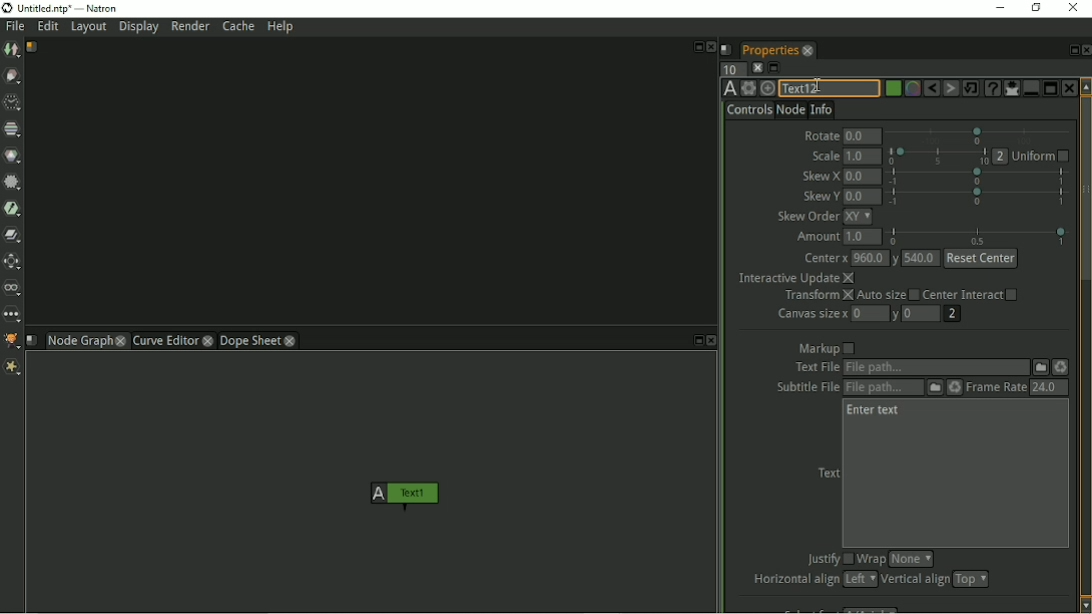  What do you see at coordinates (863, 237) in the screenshot?
I see `1.0` at bounding box center [863, 237].